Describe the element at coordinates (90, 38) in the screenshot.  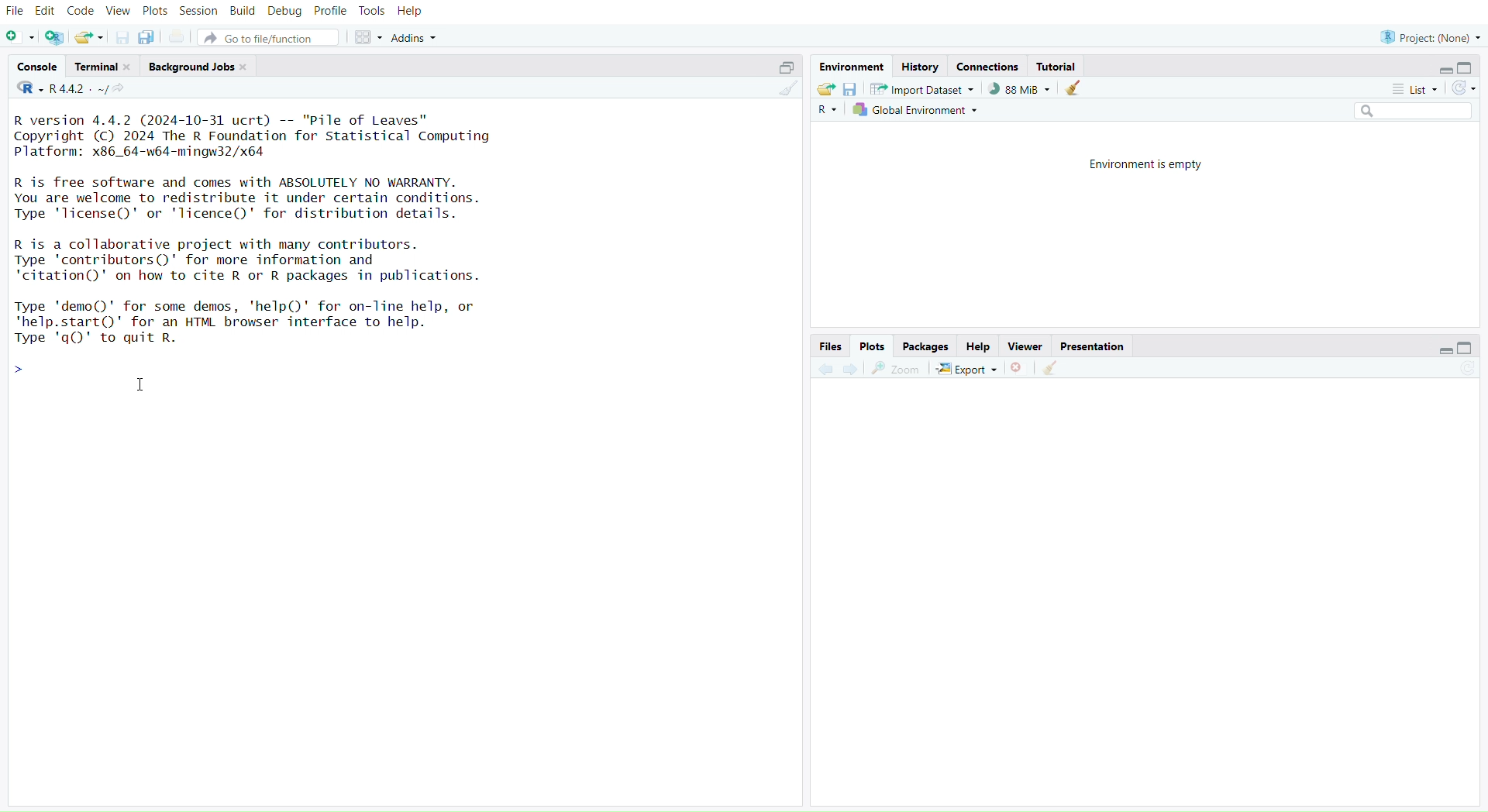
I see `open an existing file` at that location.